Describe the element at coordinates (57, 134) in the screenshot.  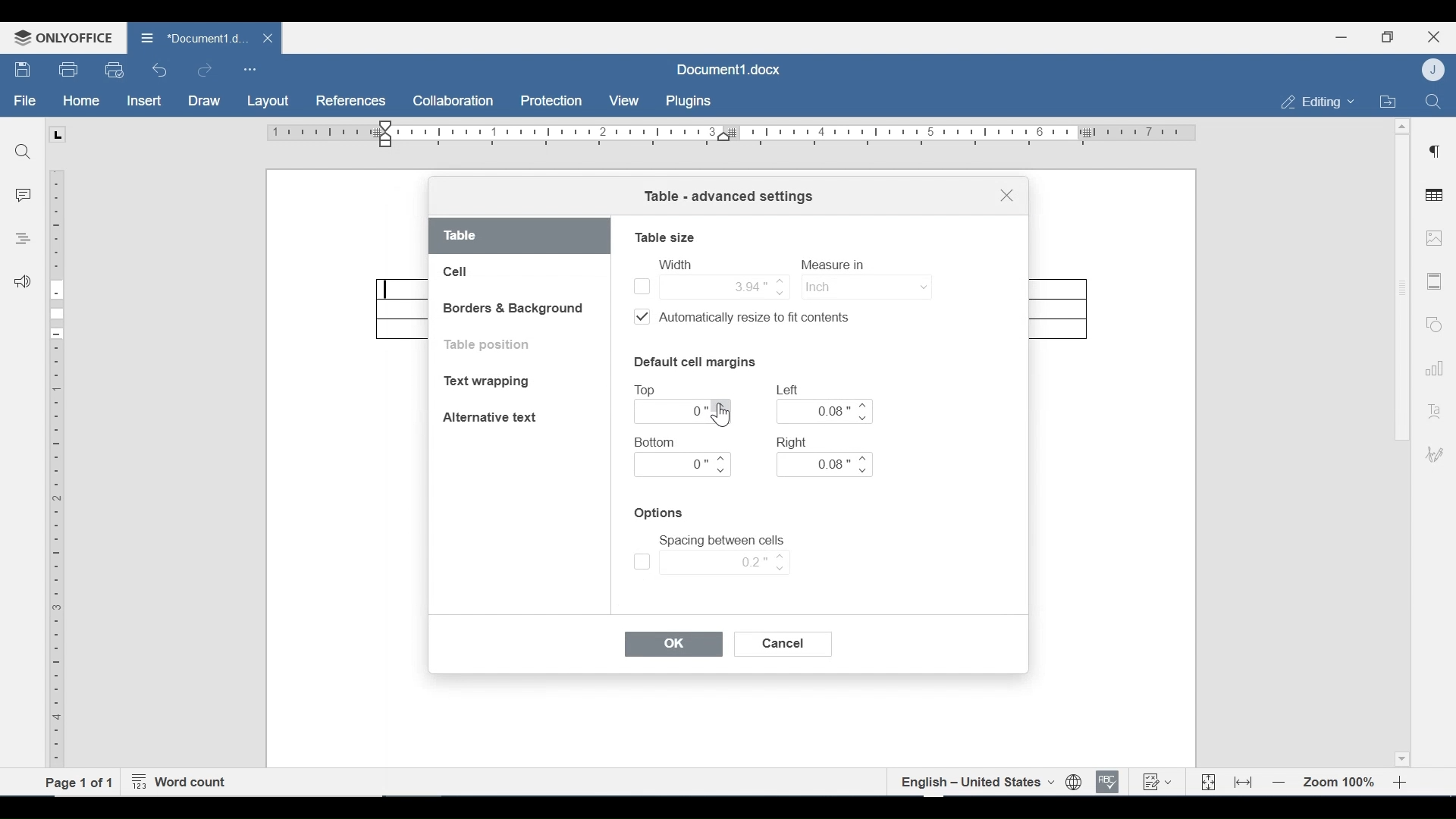
I see `Tab` at that location.